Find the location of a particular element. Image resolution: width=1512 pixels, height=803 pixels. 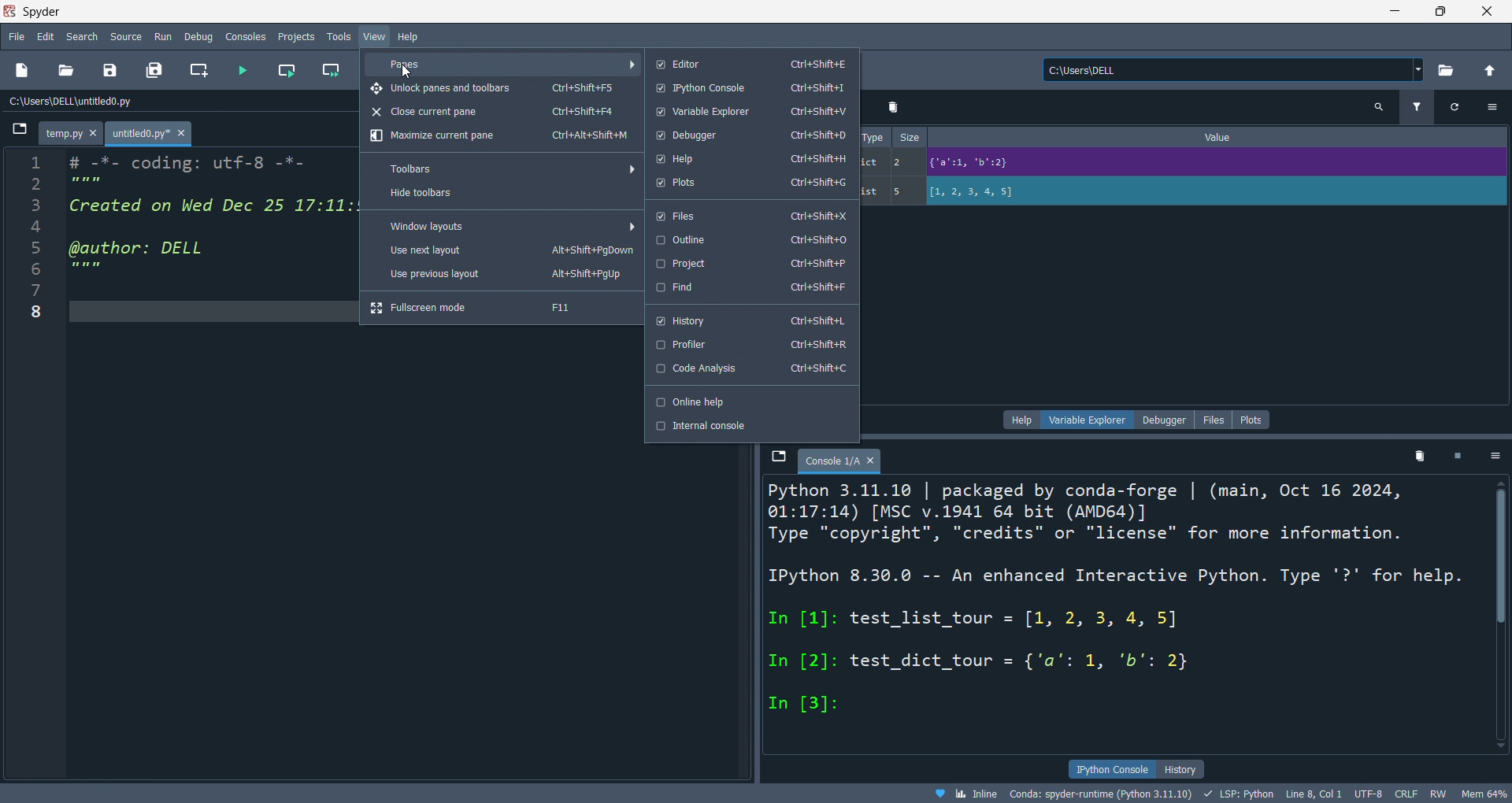

editor pane is located at coordinates (212, 222).